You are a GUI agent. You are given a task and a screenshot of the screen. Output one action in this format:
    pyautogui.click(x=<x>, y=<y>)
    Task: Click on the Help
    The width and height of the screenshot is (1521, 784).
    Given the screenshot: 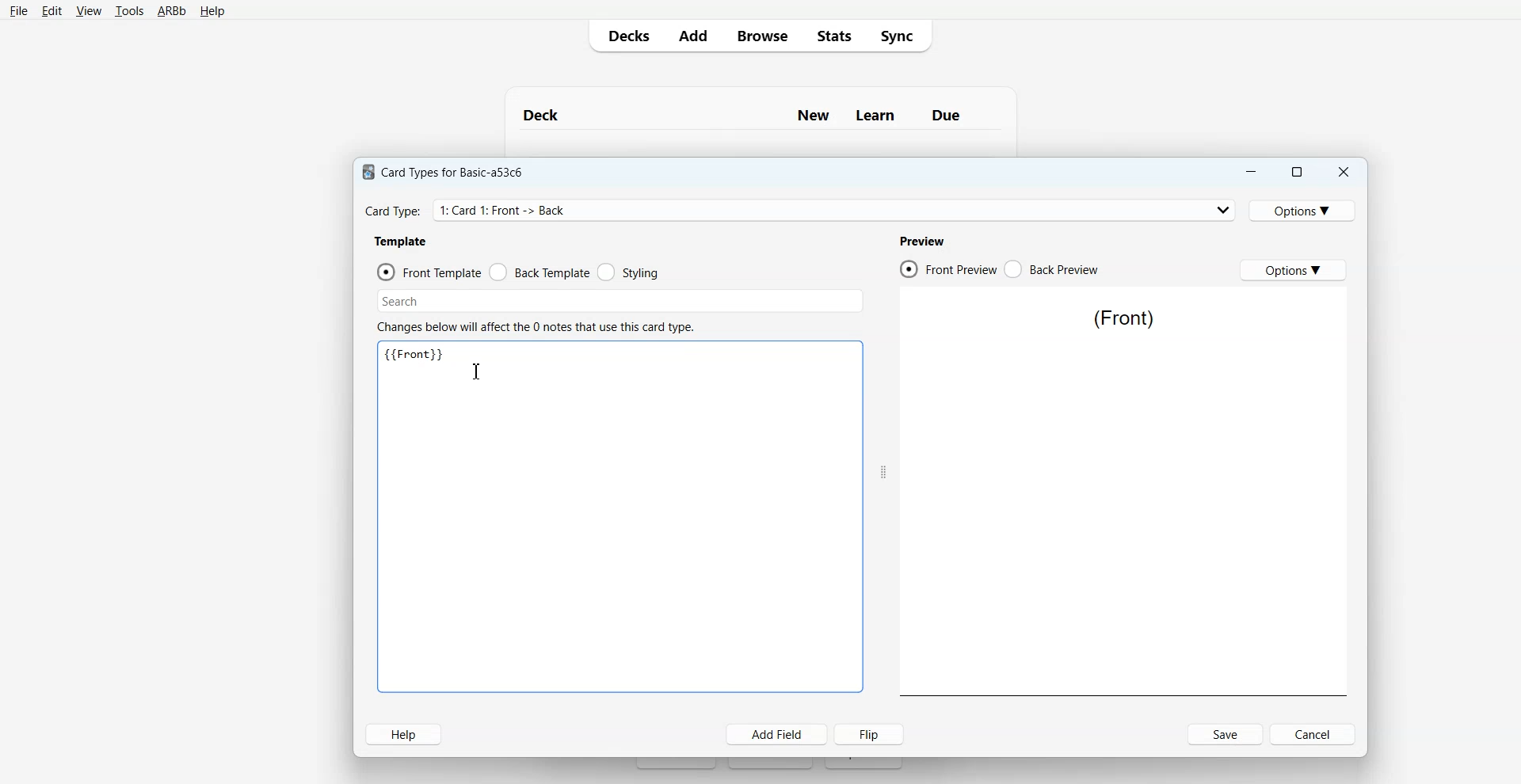 What is the action you would take?
    pyautogui.click(x=403, y=734)
    